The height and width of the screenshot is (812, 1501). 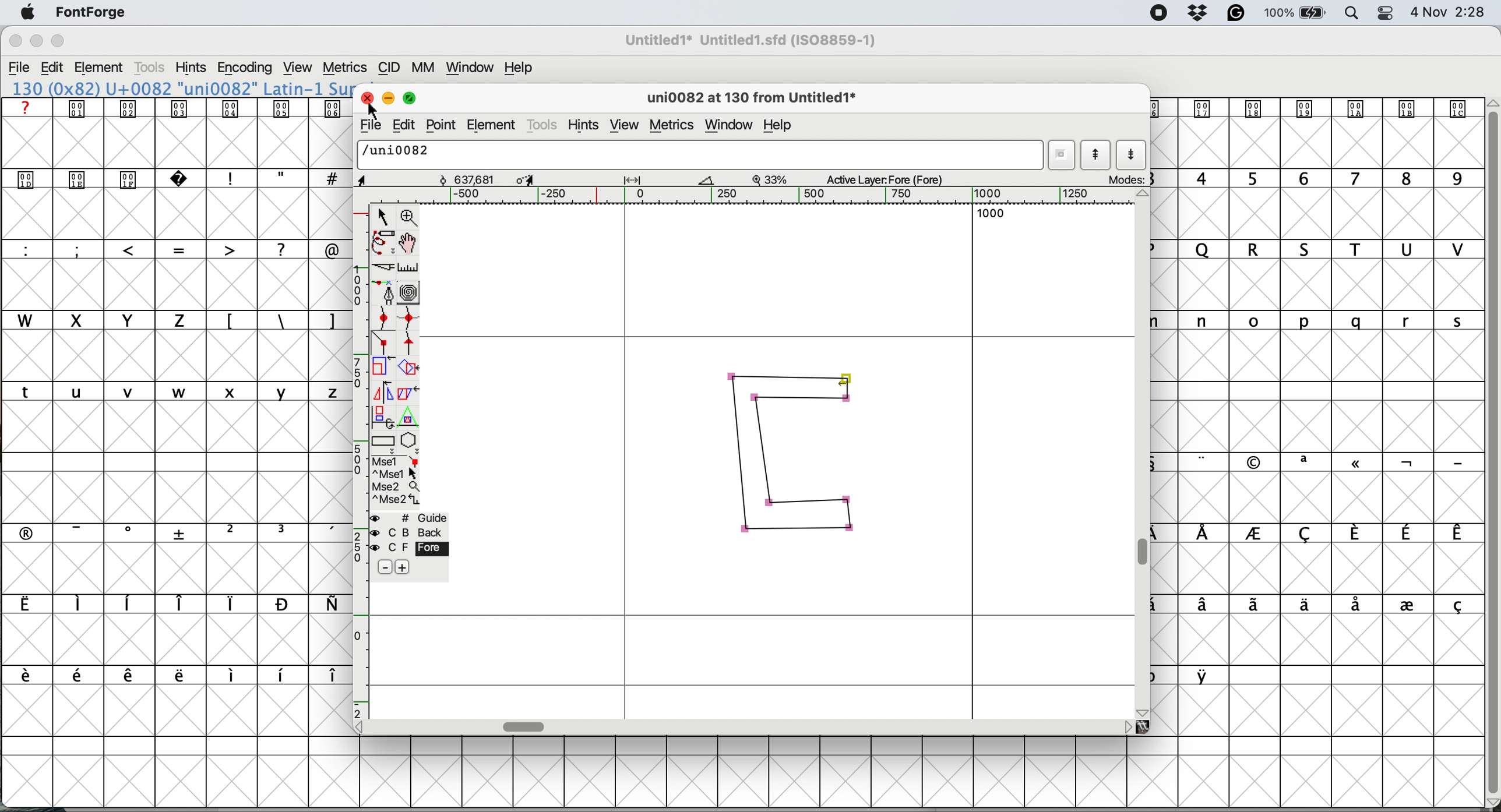 What do you see at coordinates (1238, 14) in the screenshot?
I see `grammarly` at bounding box center [1238, 14].